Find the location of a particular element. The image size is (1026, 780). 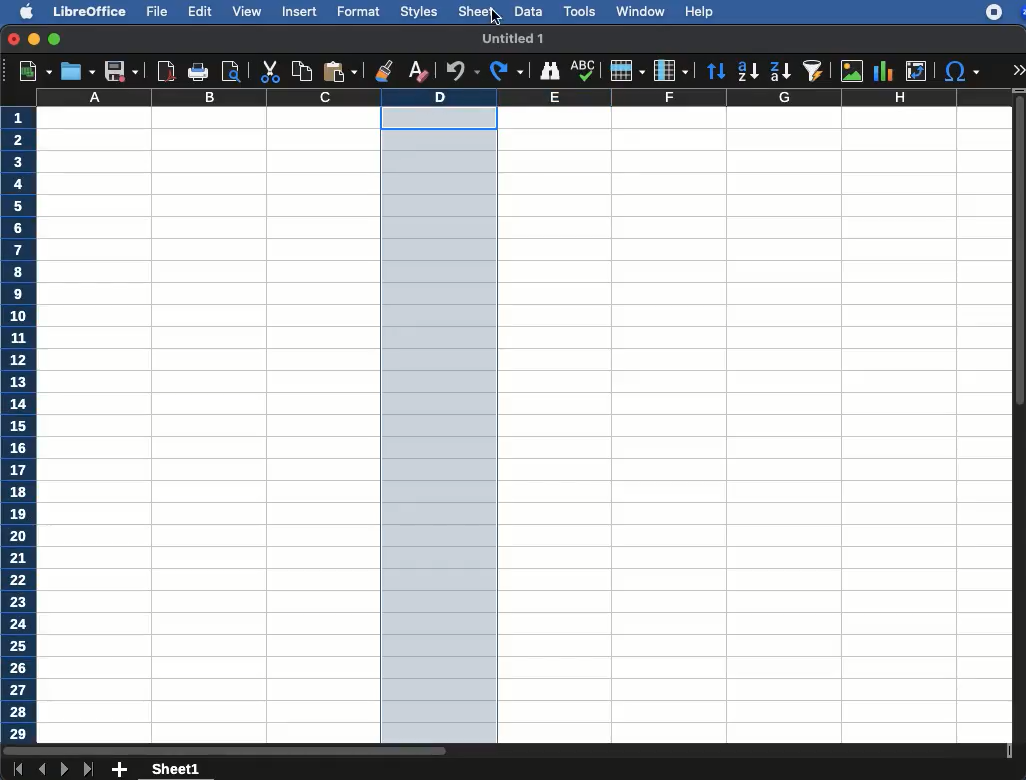

edit is located at coordinates (200, 11).